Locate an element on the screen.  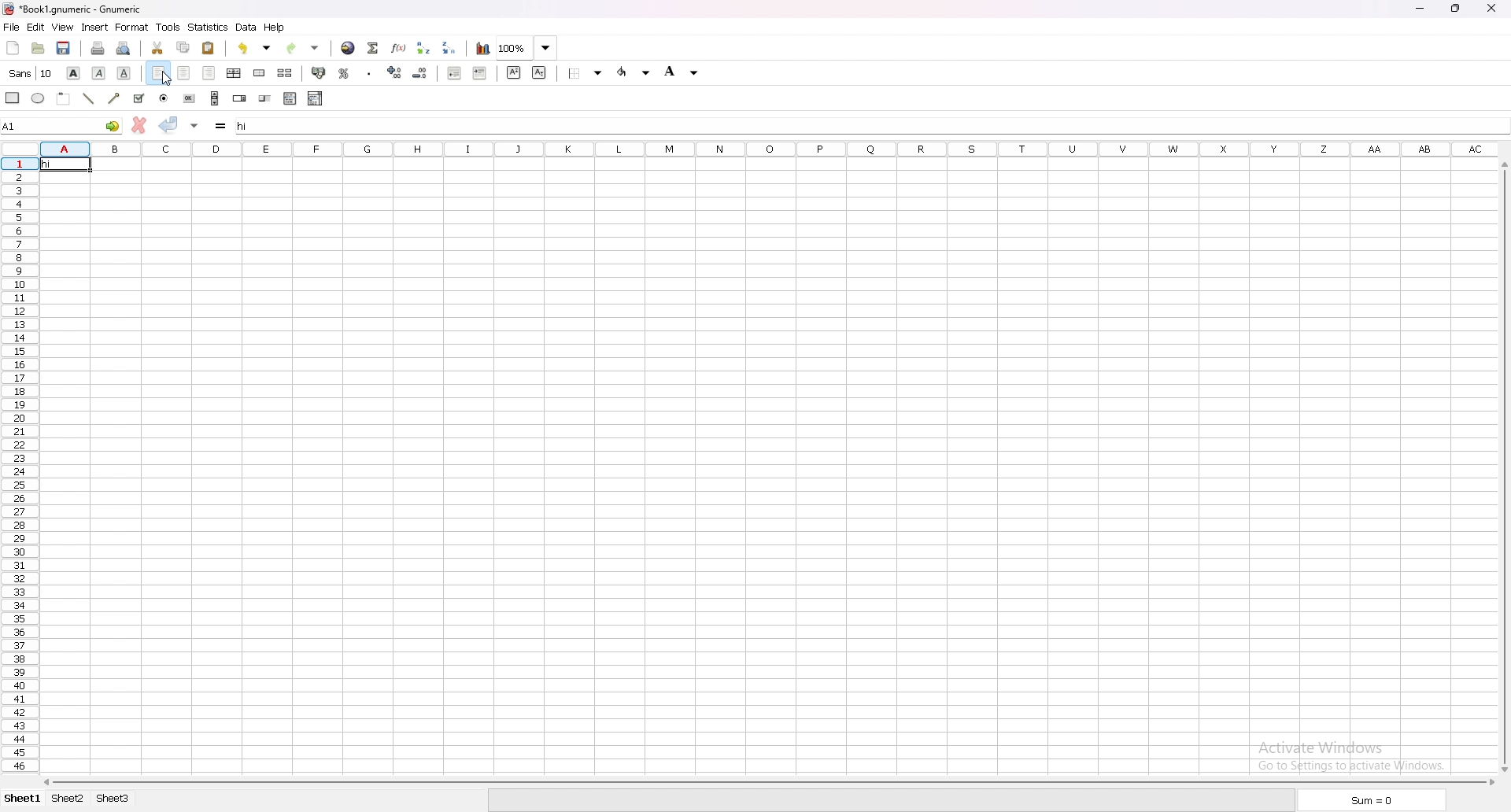
centre horizontally is located at coordinates (235, 74).